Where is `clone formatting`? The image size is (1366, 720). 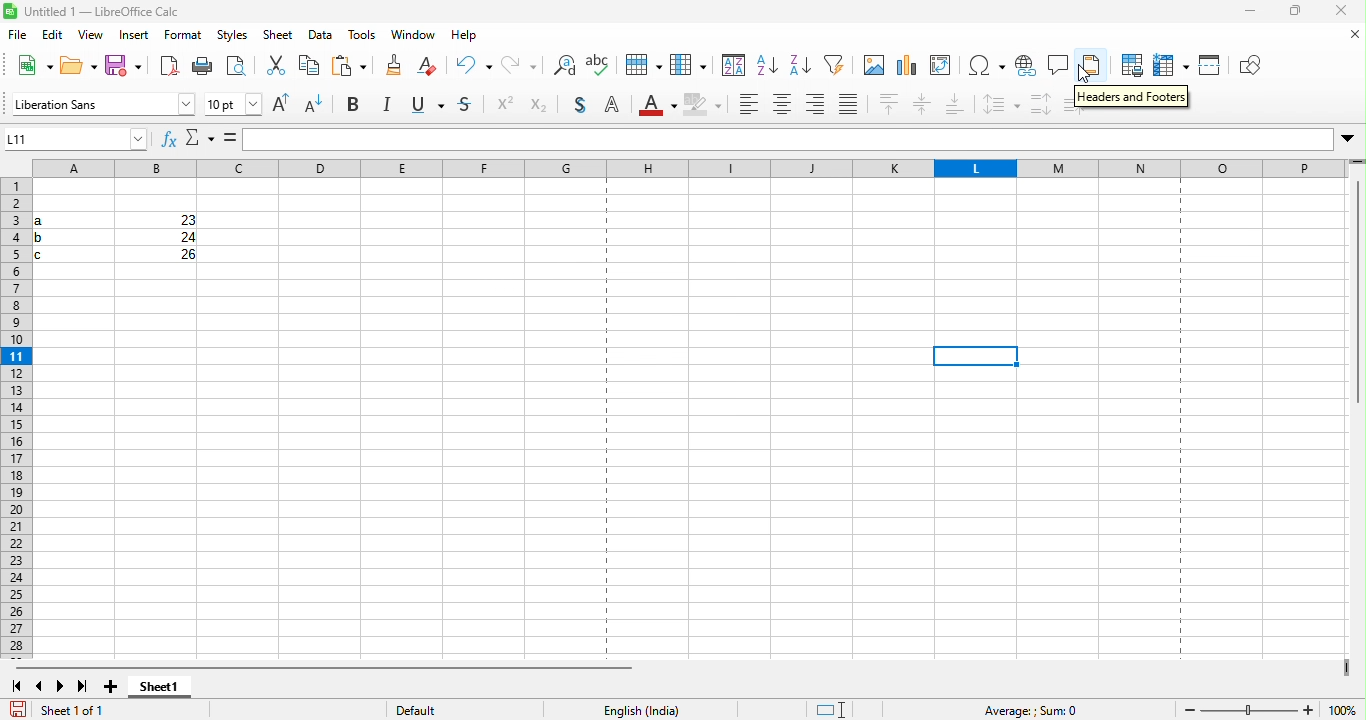
clone formatting is located at coordinates (351, 67).